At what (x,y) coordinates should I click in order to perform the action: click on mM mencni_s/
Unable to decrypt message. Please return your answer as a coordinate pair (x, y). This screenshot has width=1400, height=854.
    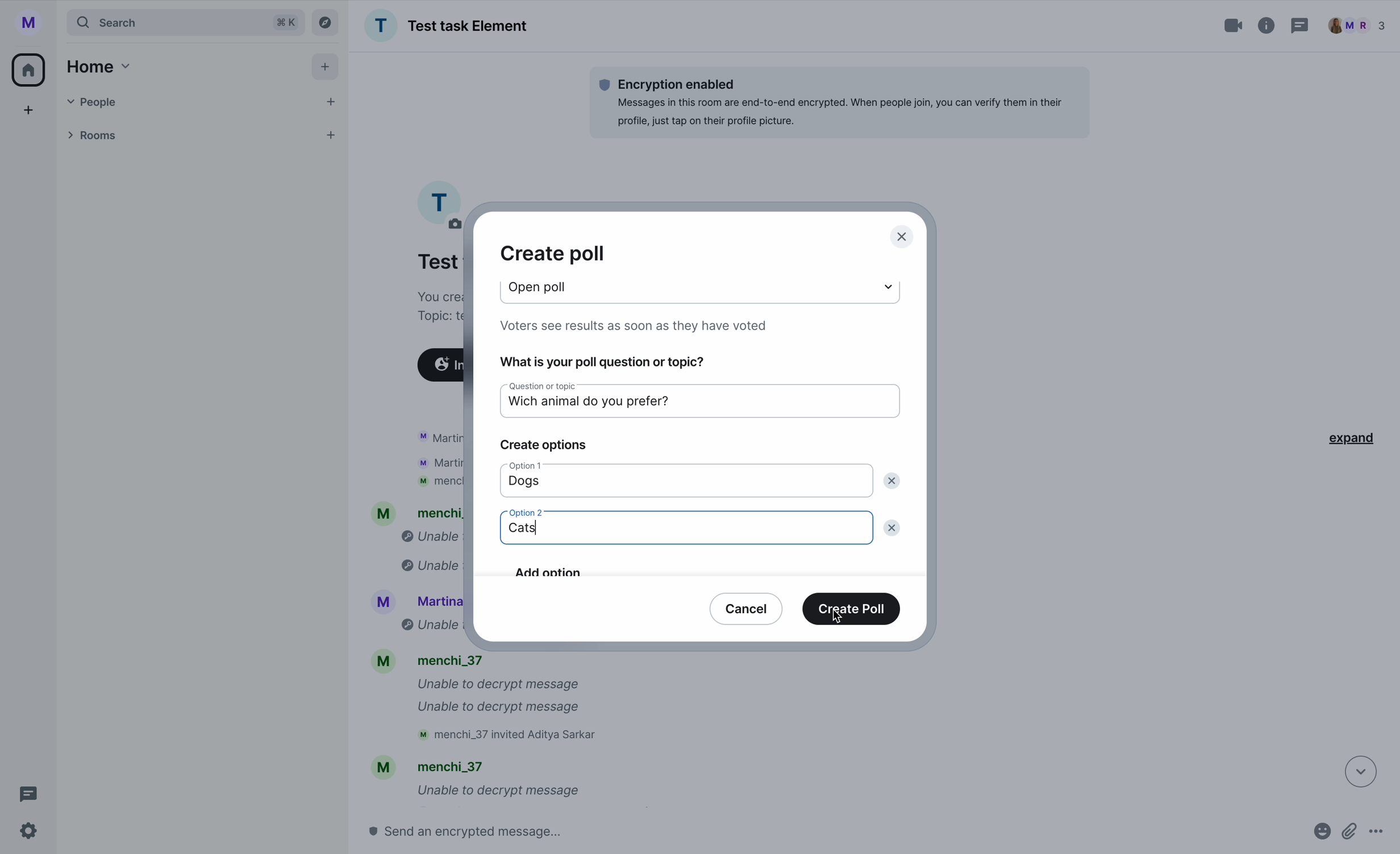
    Looking at the image, I should click on (475, 781).